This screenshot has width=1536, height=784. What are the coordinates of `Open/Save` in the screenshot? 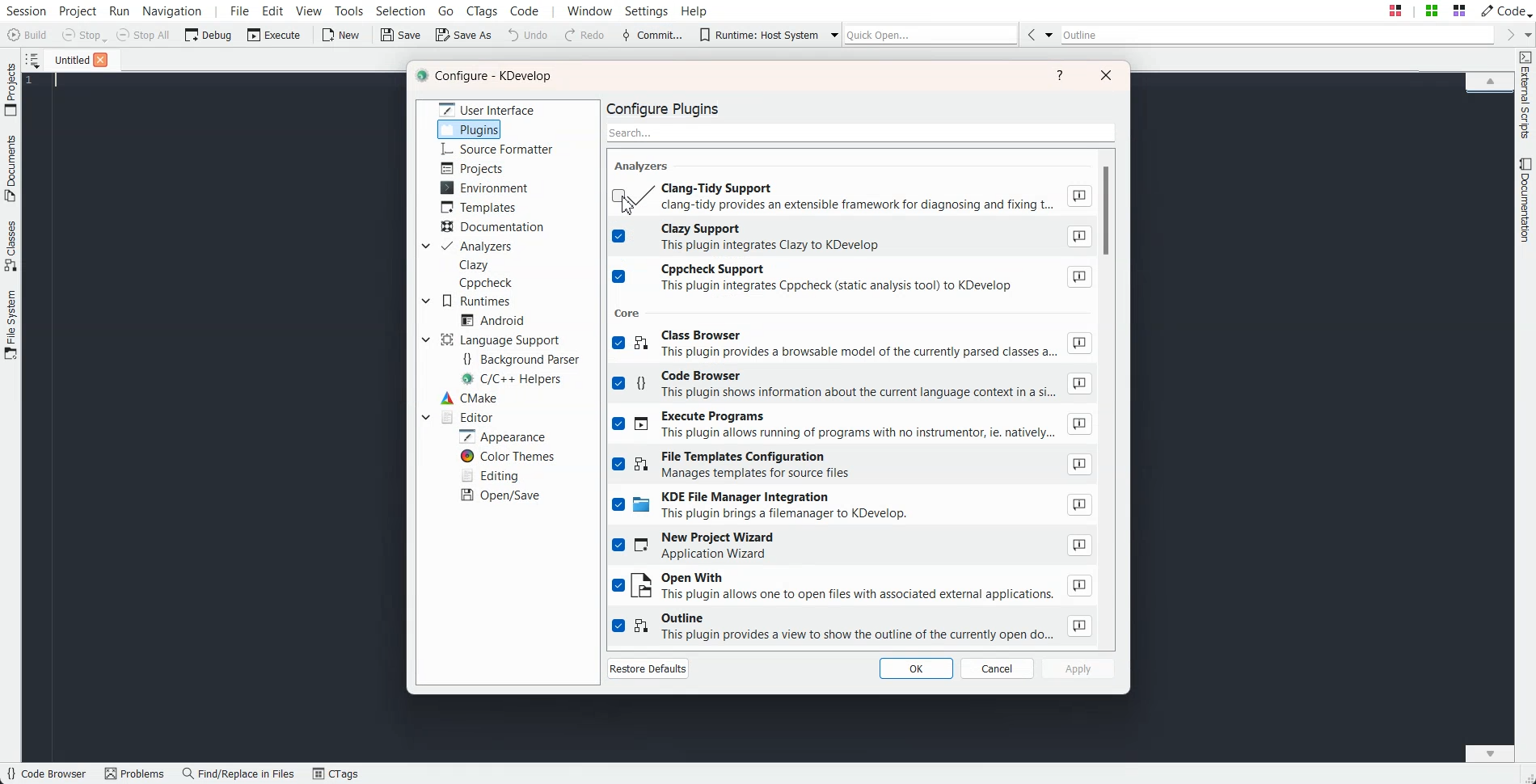 It's located at (502, 495).